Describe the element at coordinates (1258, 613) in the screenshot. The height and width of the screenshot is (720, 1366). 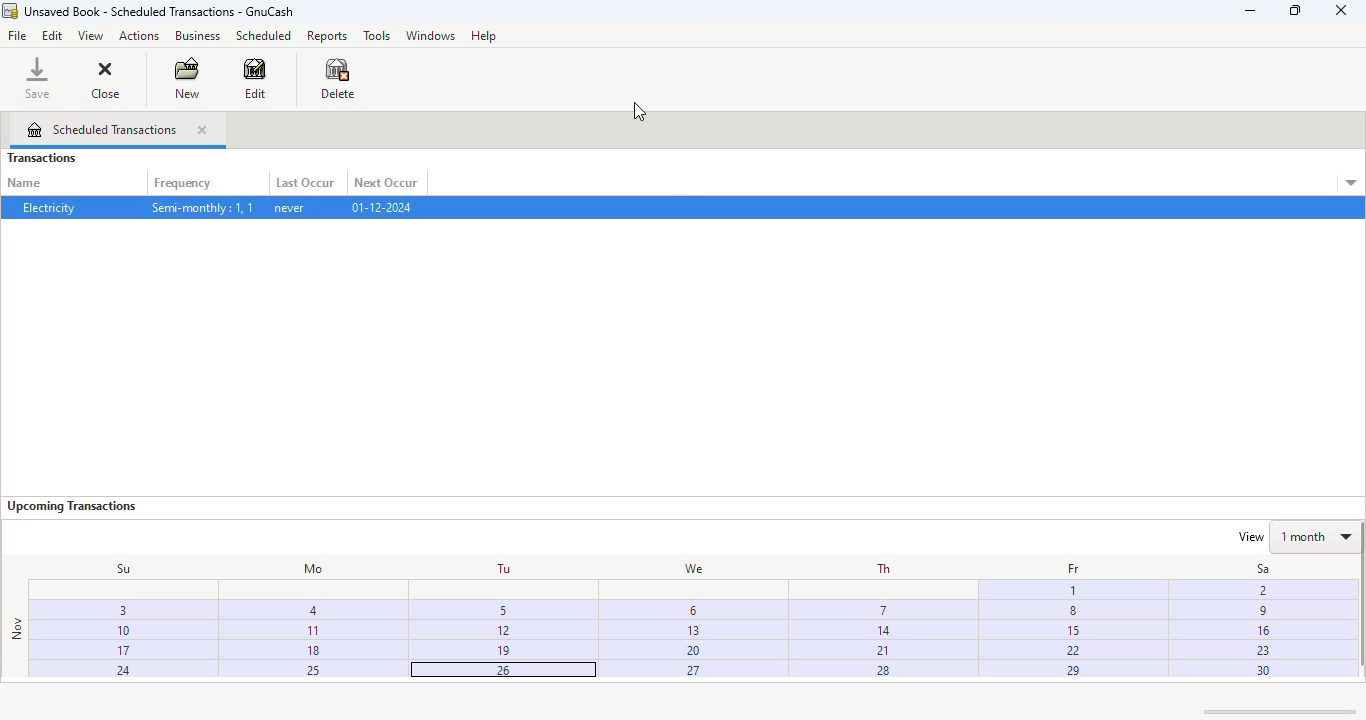
I see `9` at that location.